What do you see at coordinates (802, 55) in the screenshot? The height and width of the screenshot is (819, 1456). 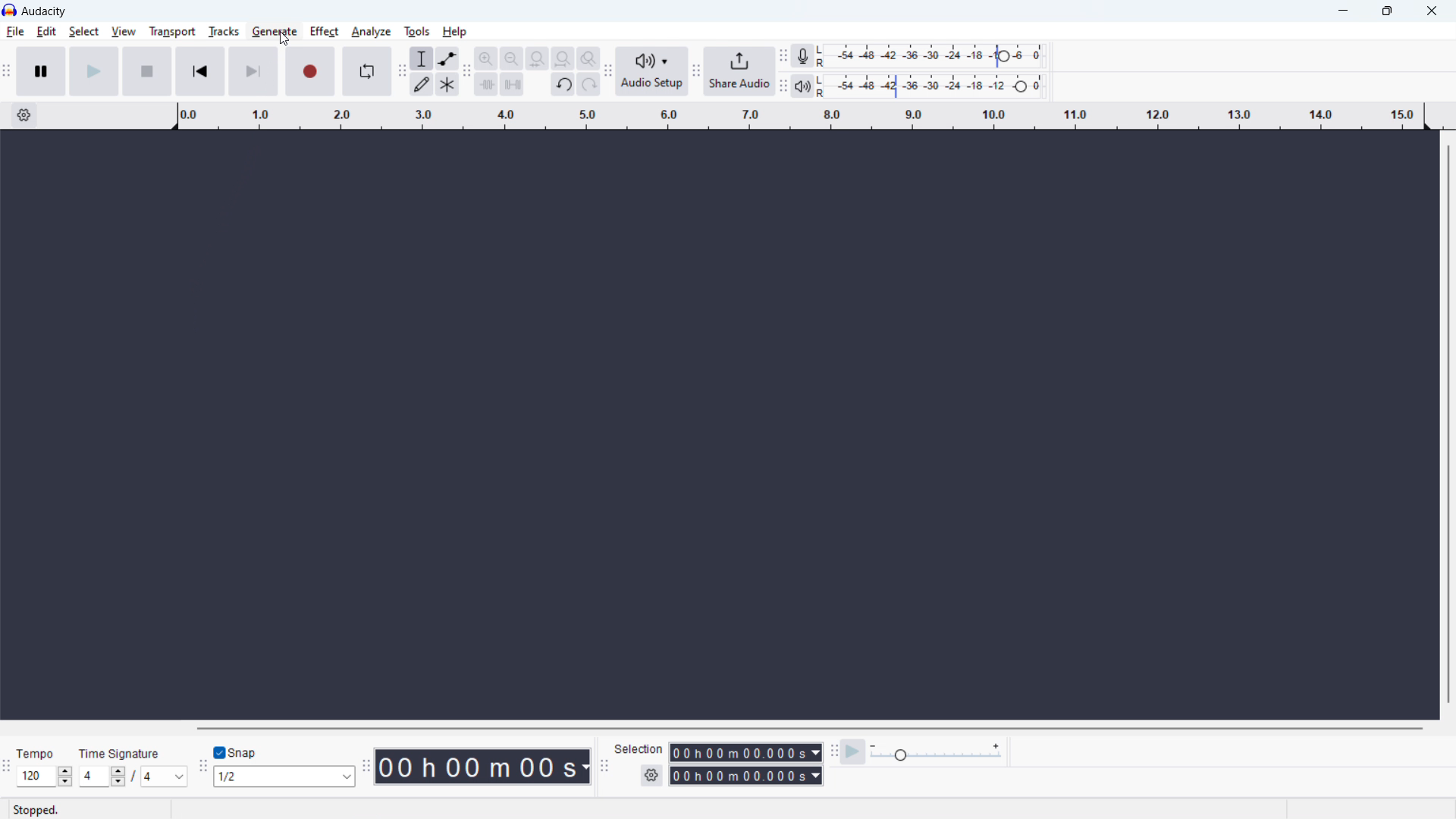 I see `recording meter` at bounding box center [802, 55].